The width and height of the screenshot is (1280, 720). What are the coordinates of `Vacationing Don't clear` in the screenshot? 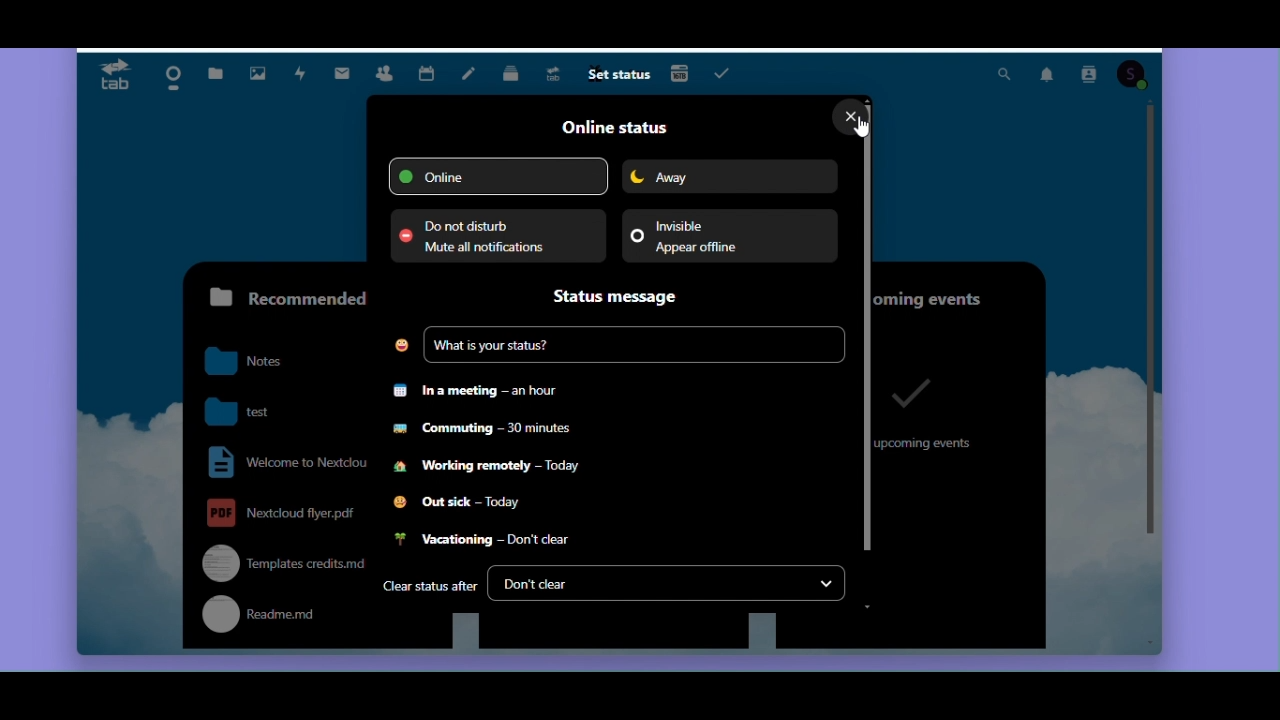 It's located at (480, 541).